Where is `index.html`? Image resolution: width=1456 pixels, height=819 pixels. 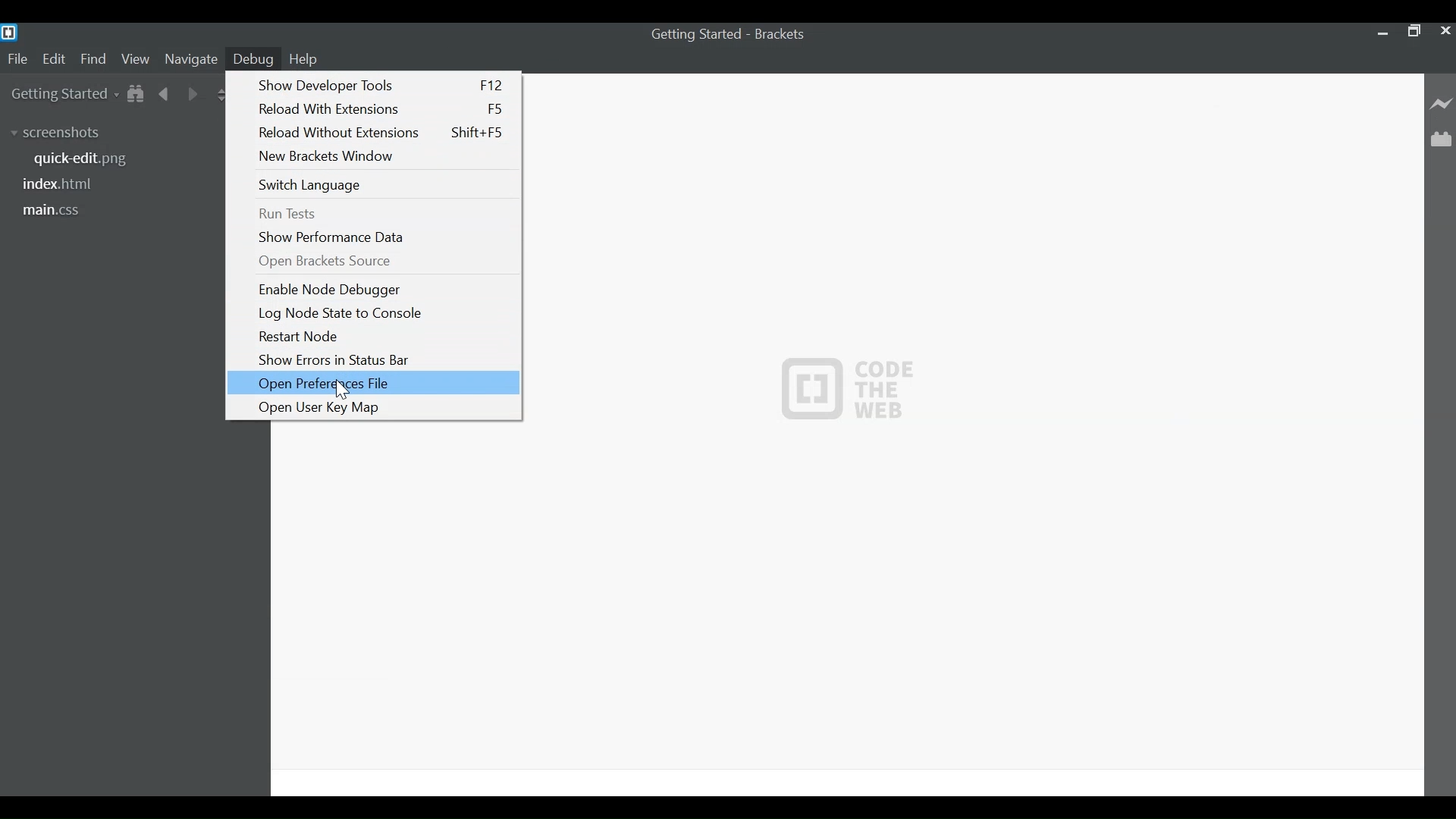
index.html is located at coordinates (61, 186).